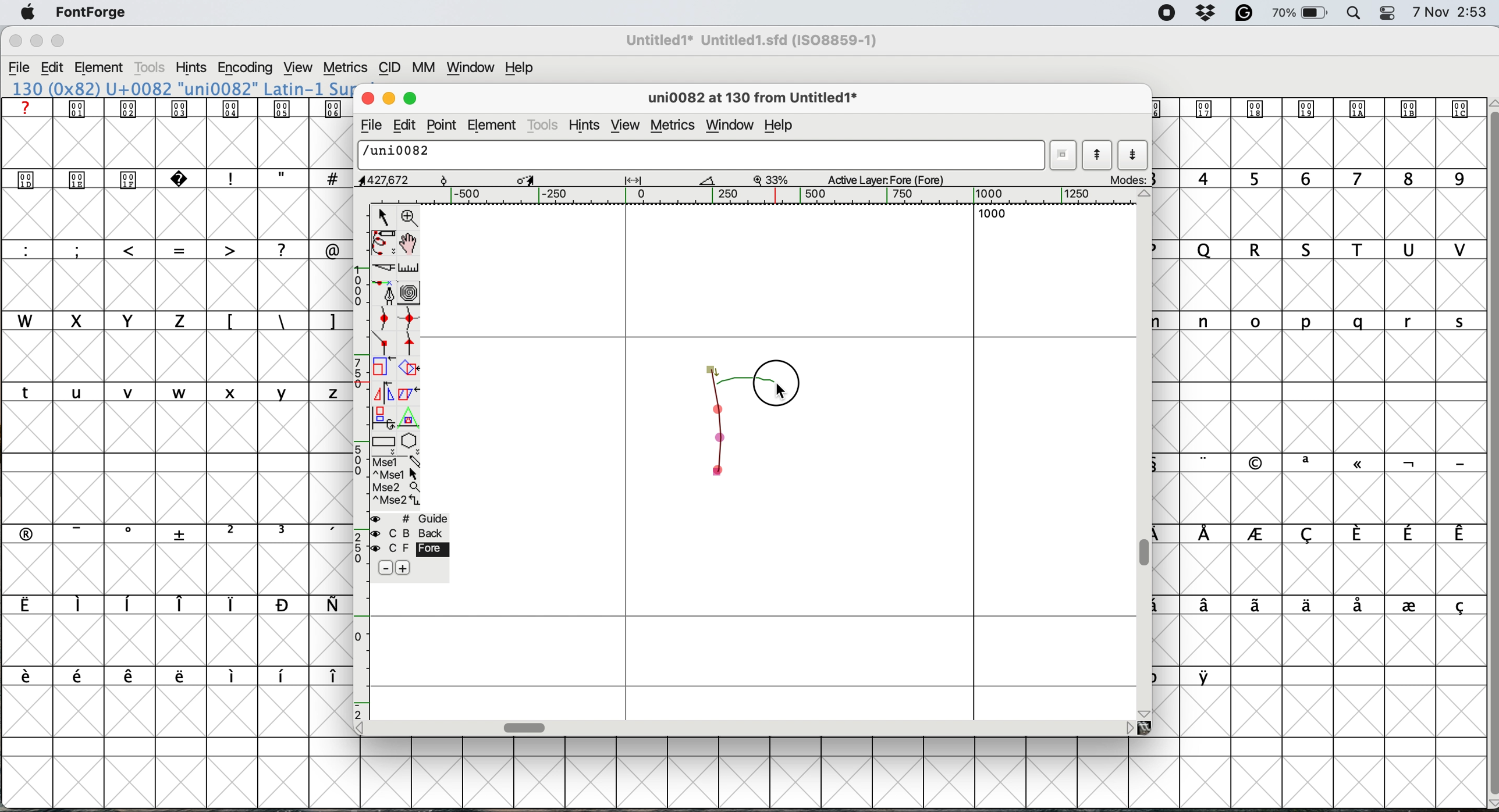 Image resolution: width=1499 pixels, height=812 pixels. Describe the element at coordinates (382, 568) in the screenshot. I see `remove` at that location.